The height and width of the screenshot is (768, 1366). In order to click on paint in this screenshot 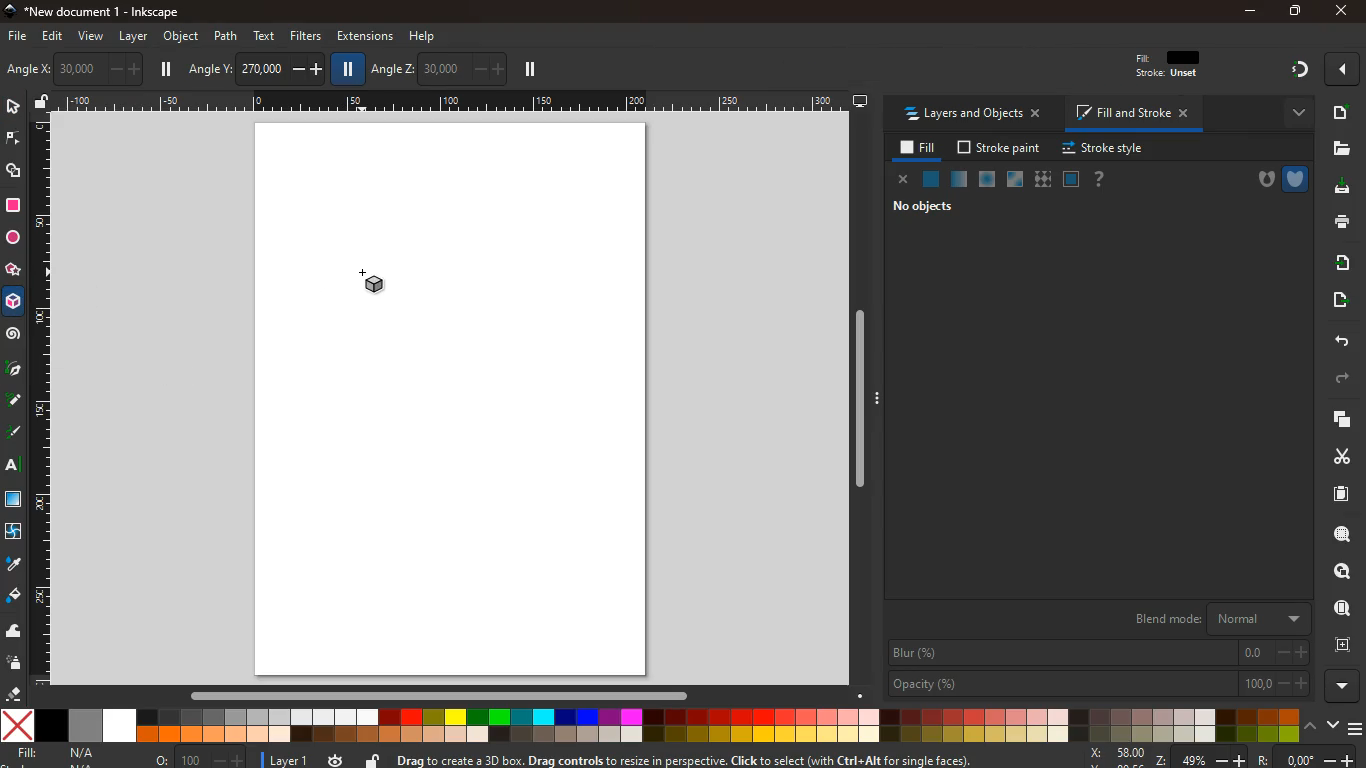, I will do `click(13, 597)`.